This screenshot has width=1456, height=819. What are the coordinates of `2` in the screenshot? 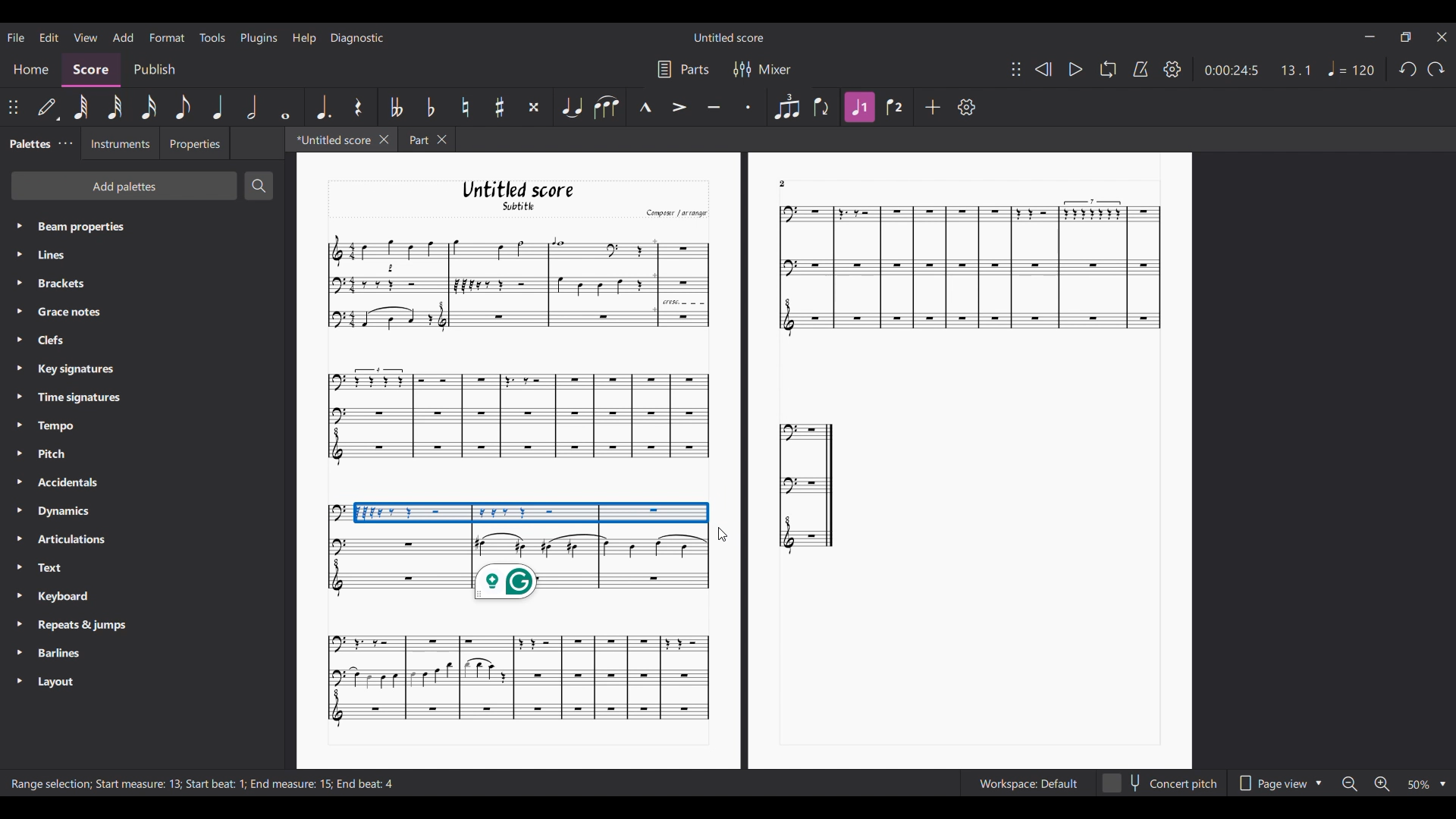 It's located at (783, 183).